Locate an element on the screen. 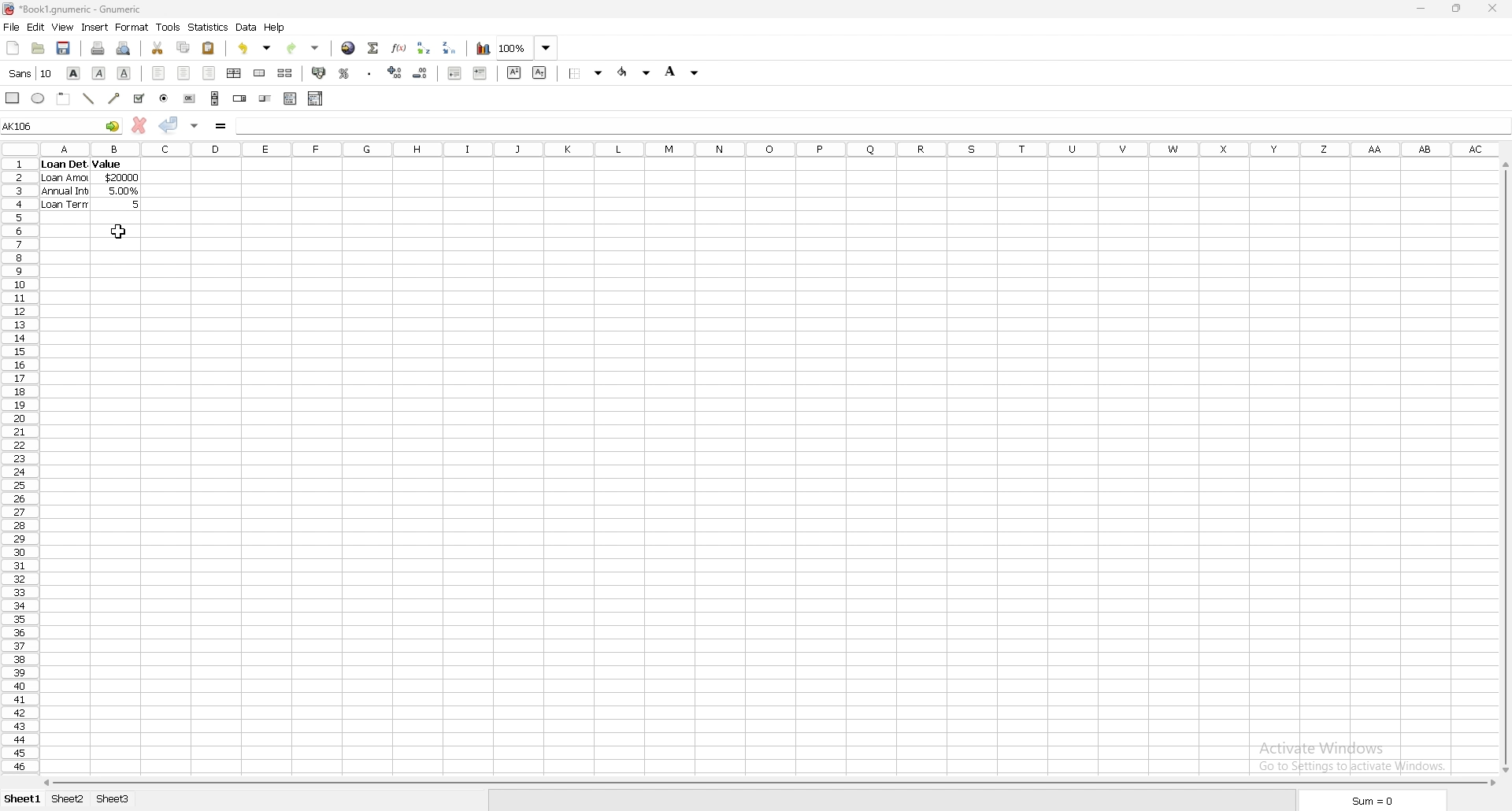 The image size is (1512, 811). scroll bar is located at coordinates (1505, 465).